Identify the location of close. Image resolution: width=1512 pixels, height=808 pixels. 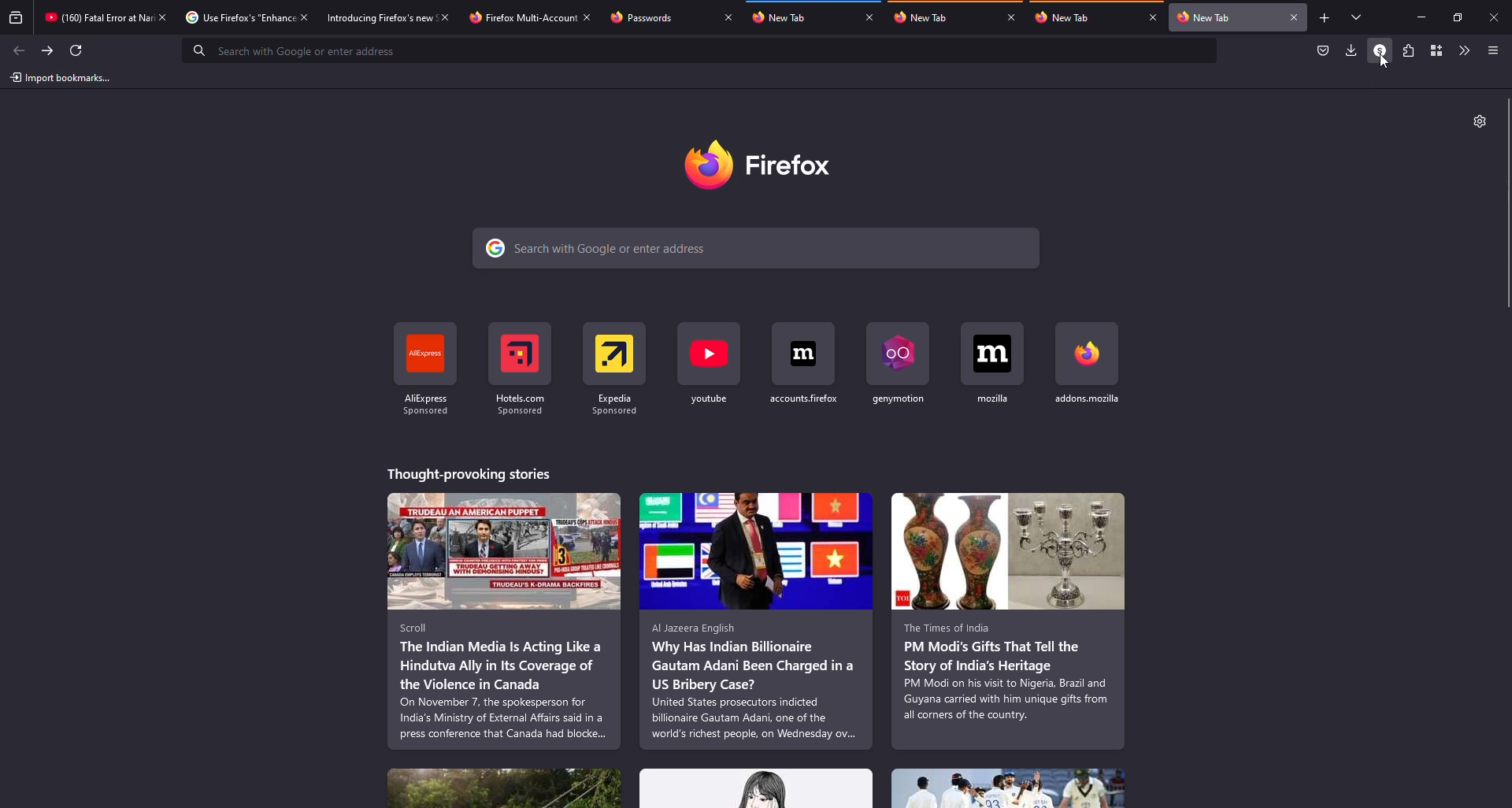
(1496, 15).